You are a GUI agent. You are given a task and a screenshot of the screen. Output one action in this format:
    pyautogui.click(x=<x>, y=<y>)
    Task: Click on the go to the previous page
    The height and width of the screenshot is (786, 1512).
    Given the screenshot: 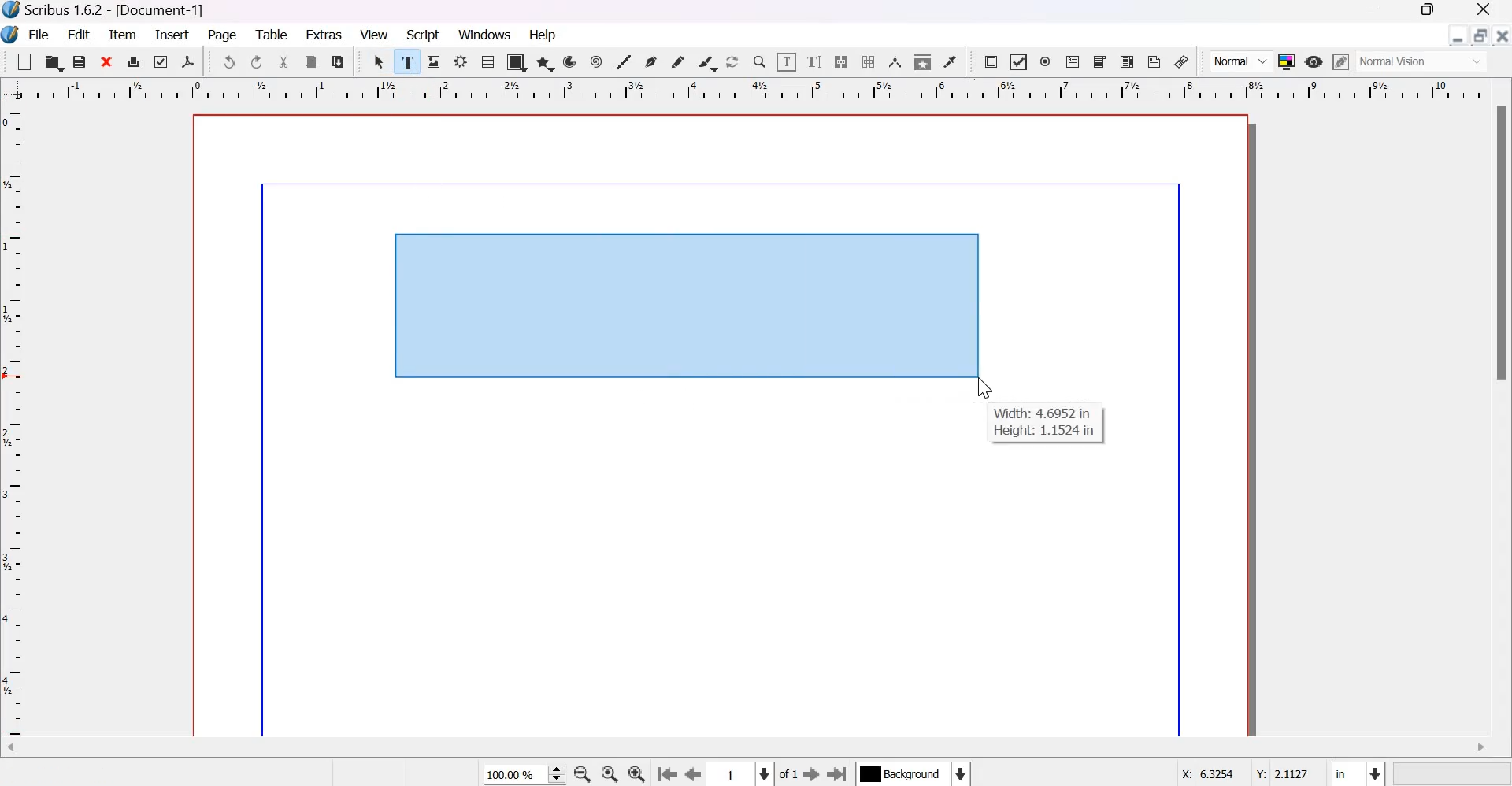 What is the action you would take?
    pyautogui.click(x=667, y=775)
    